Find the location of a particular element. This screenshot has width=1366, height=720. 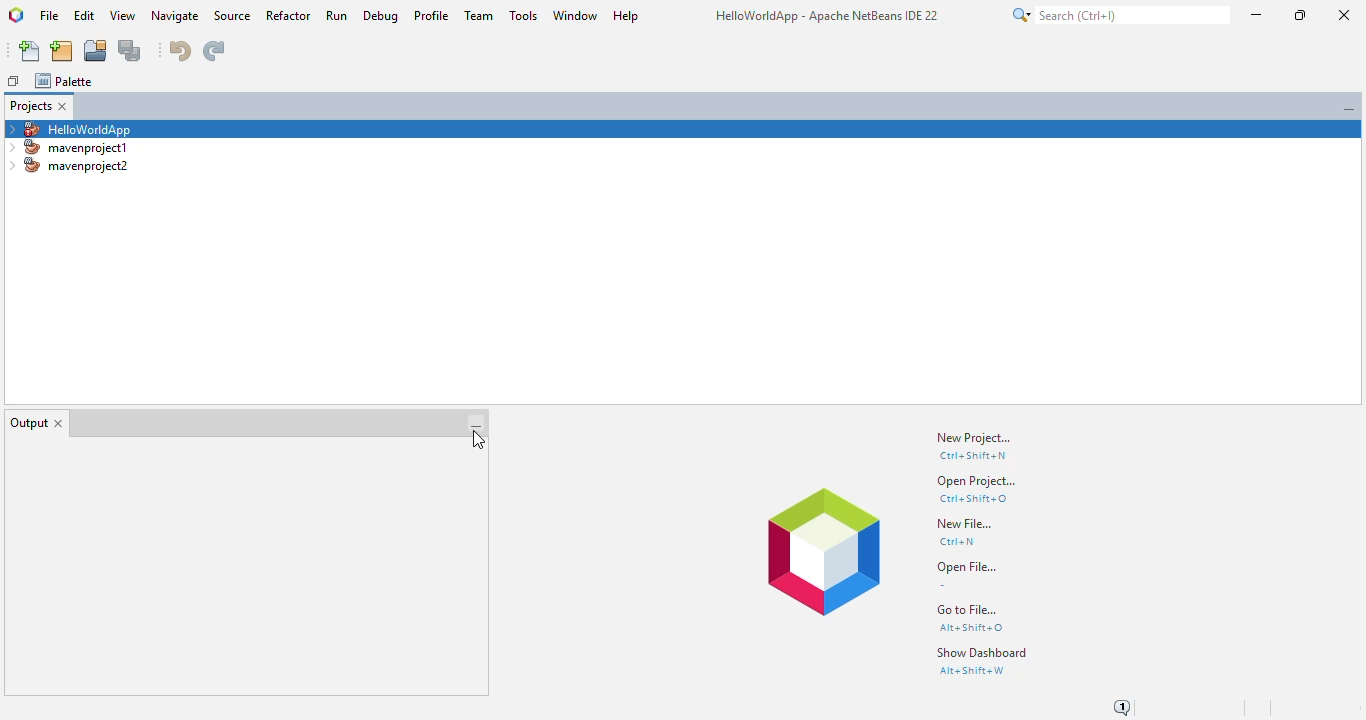

close window is located at coordinates (60, 423).